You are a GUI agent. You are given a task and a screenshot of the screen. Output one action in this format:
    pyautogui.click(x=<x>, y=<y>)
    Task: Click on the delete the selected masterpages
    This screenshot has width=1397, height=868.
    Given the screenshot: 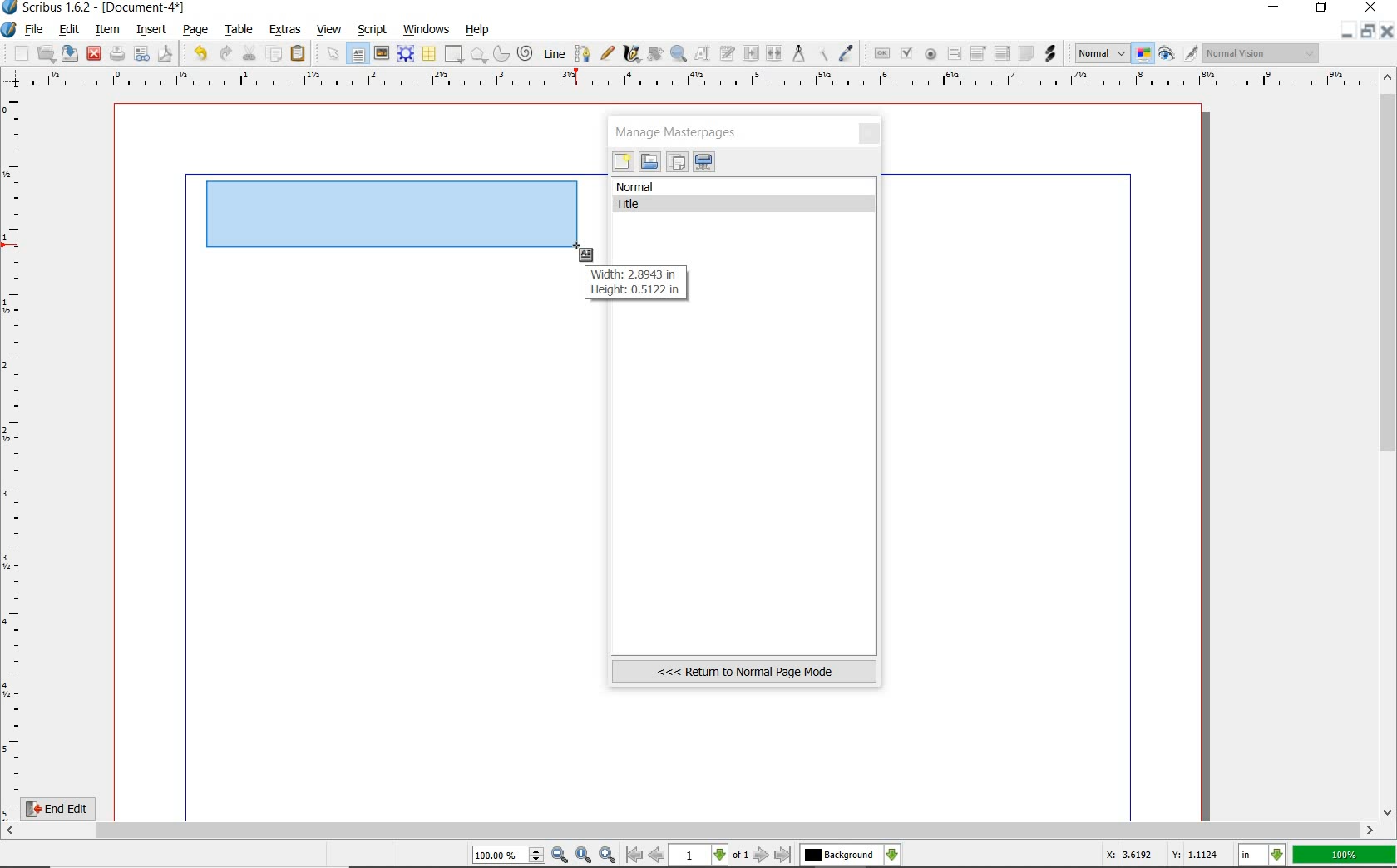 What is the action you would take?
    pyautogui.click(x=704, y=162)
    